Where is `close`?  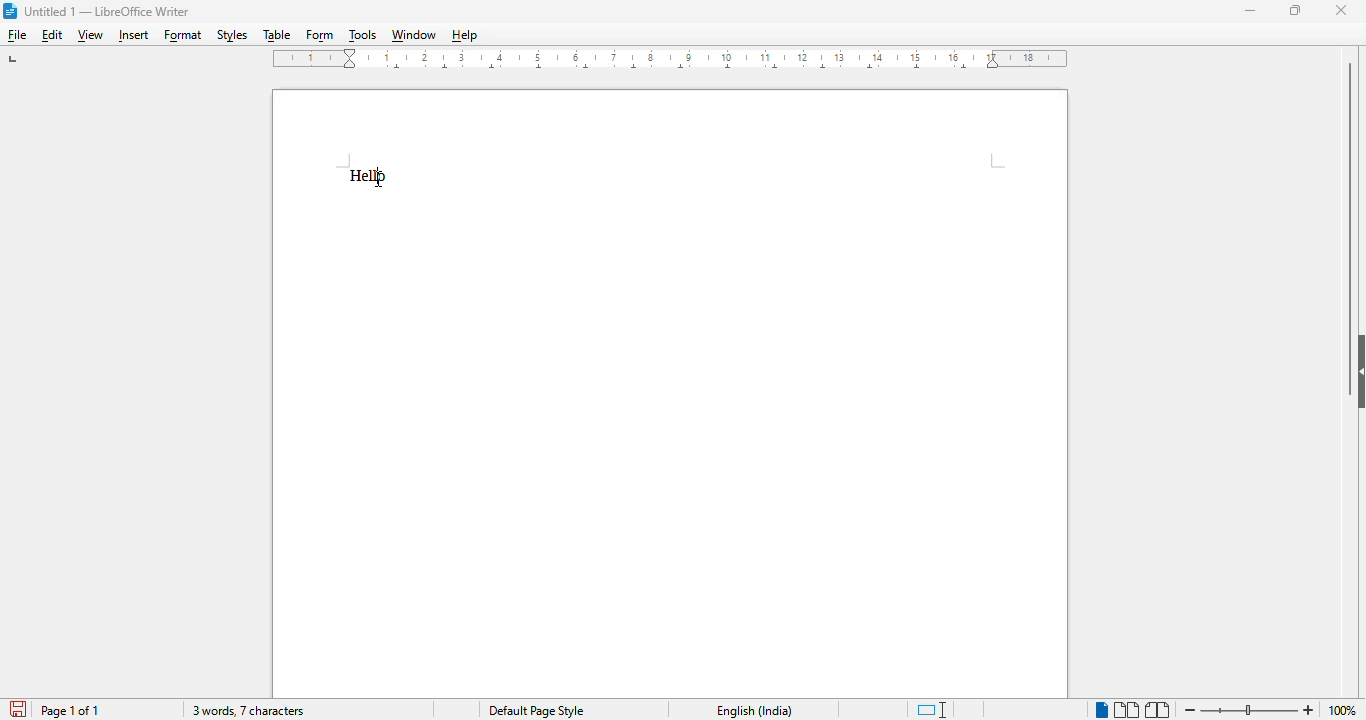
close is located at coordinates (1341, 9).